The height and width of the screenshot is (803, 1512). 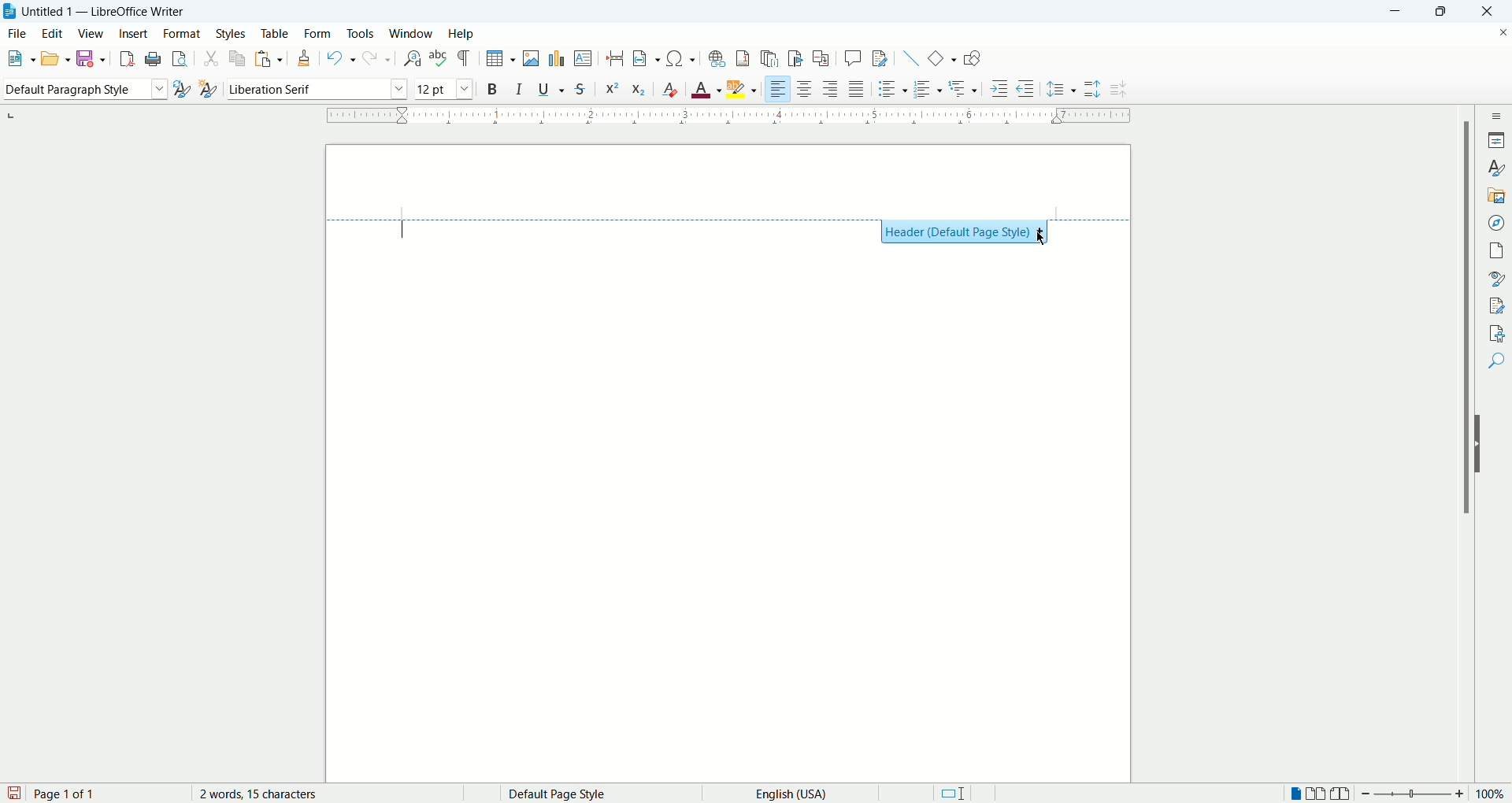 I want to click on single page view, so click(x=1293, y=792).